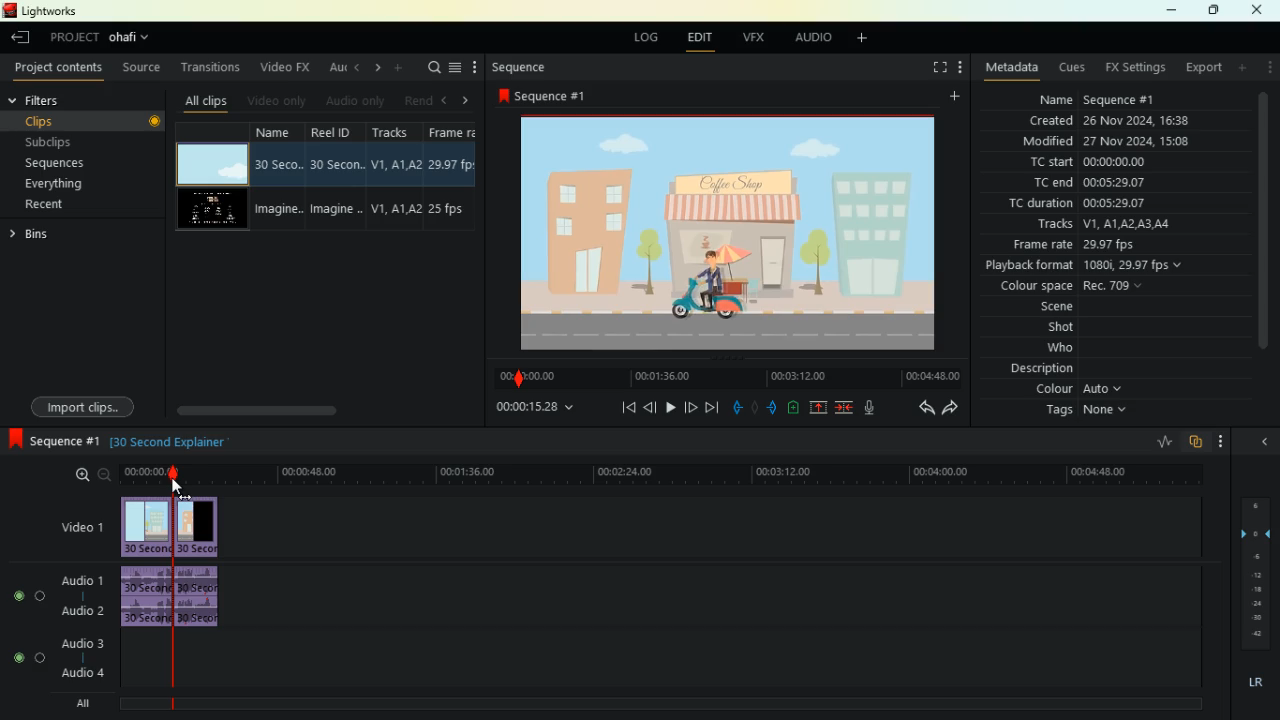 The width and height of the screenshot is (1280, 720). Describe the element at coordinates (468, 102) in the screenshot. I see `right` at that location.